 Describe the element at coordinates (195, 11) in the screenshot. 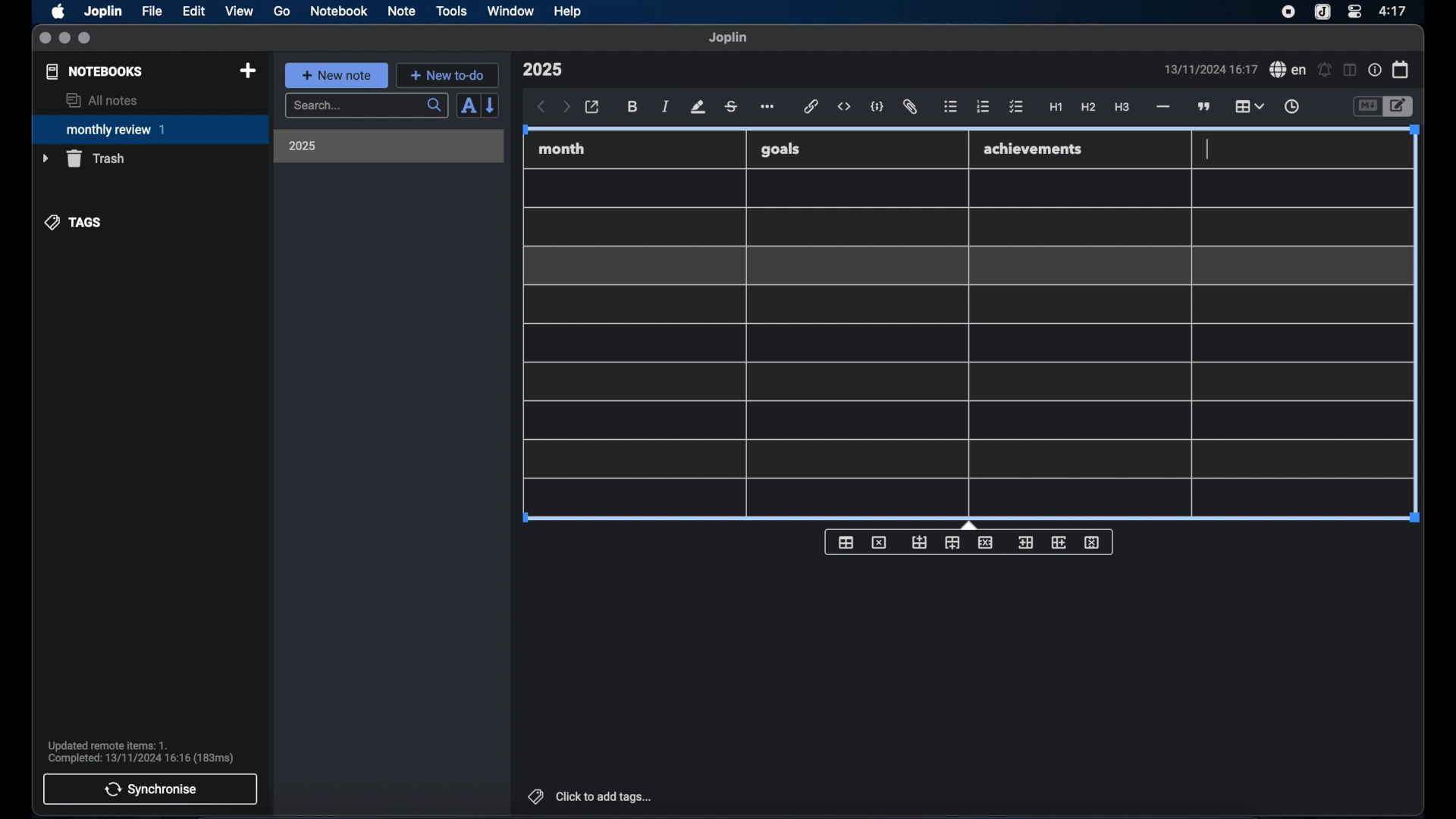

I see `edit` at that location.